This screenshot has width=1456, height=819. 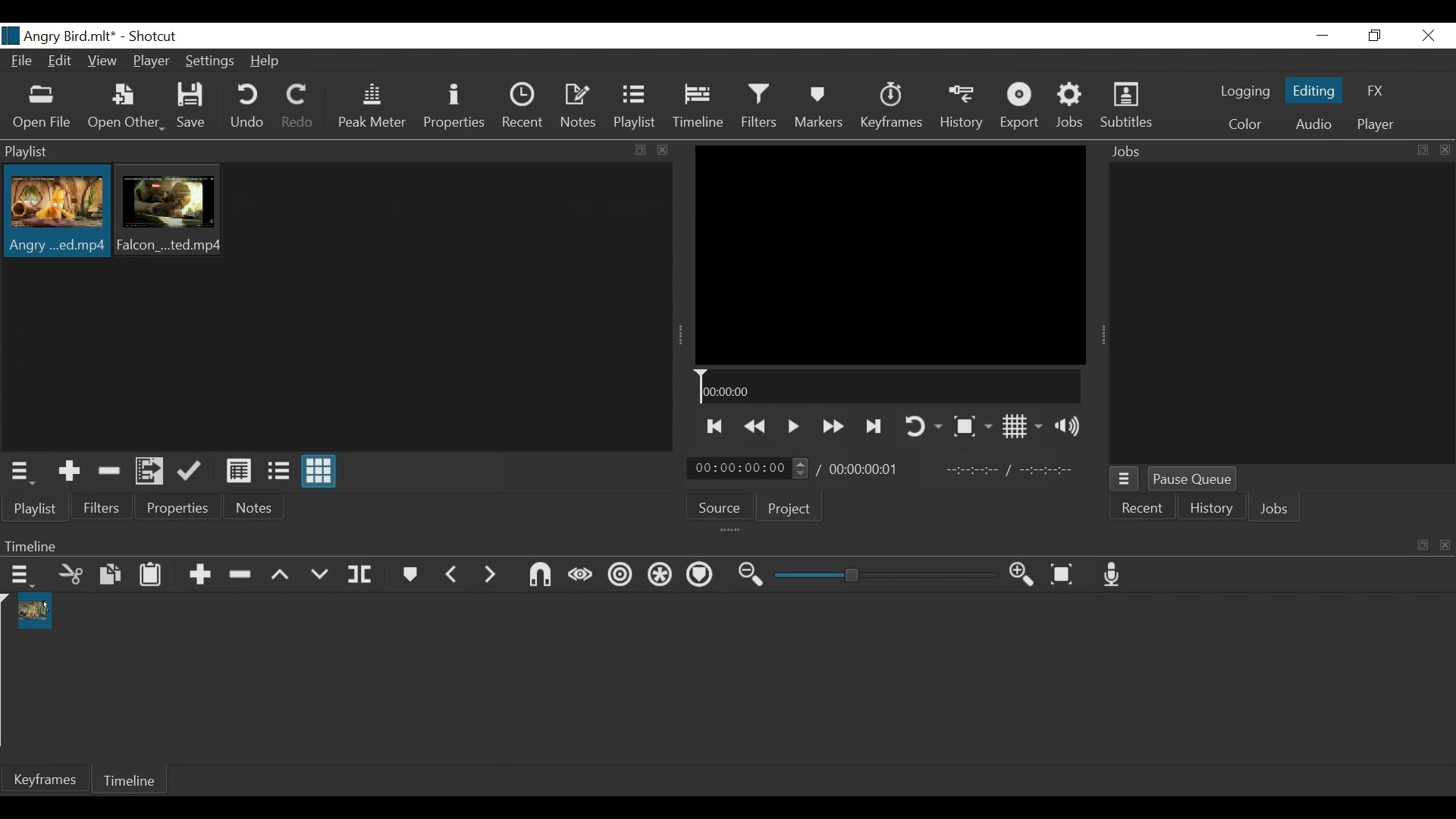 I want to click on File, so click(x=24, y=61).